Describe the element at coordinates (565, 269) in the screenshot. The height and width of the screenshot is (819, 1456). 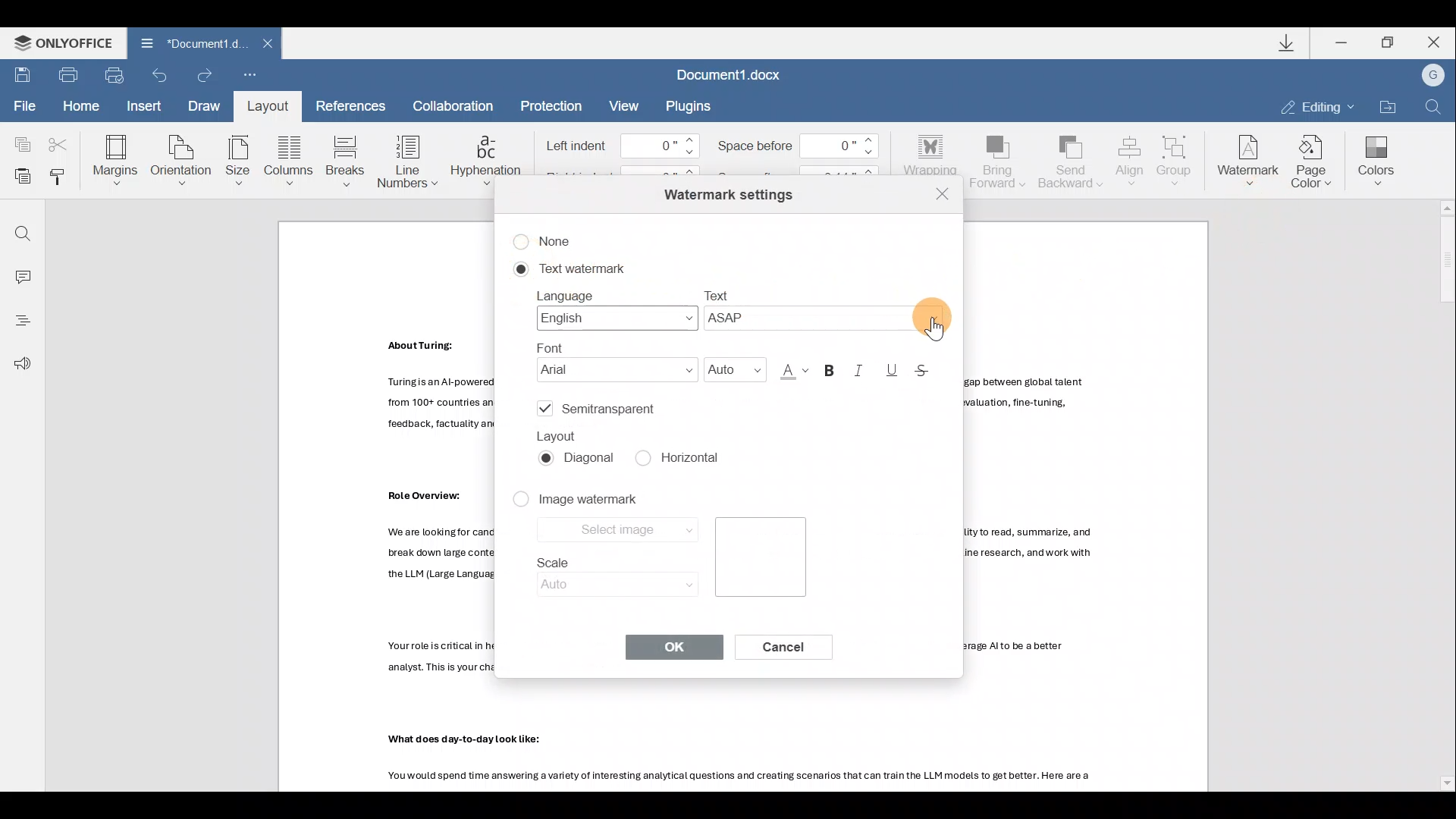
I see `Text watermark` at that location.